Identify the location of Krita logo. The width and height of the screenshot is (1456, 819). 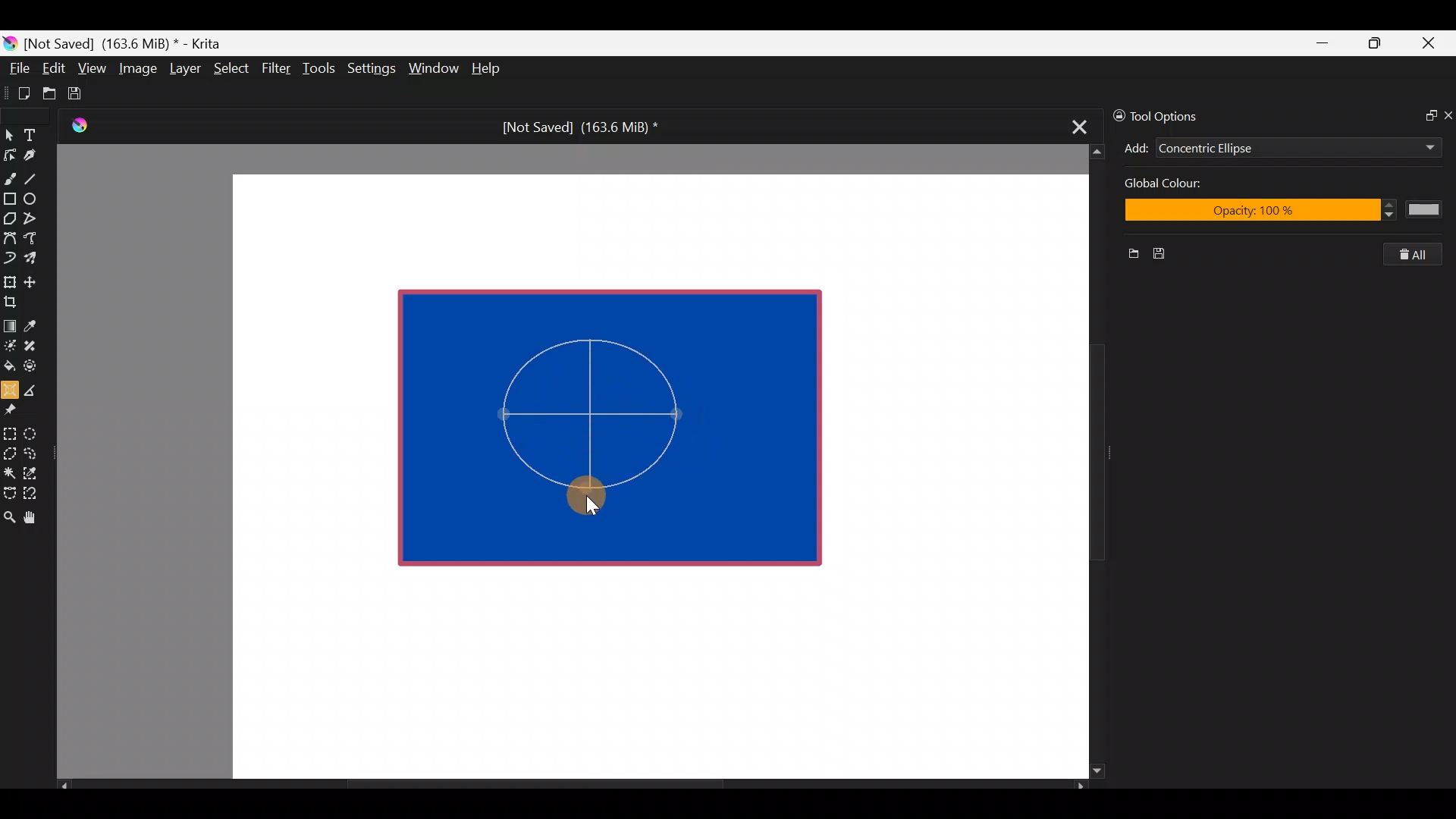
(10, 42).